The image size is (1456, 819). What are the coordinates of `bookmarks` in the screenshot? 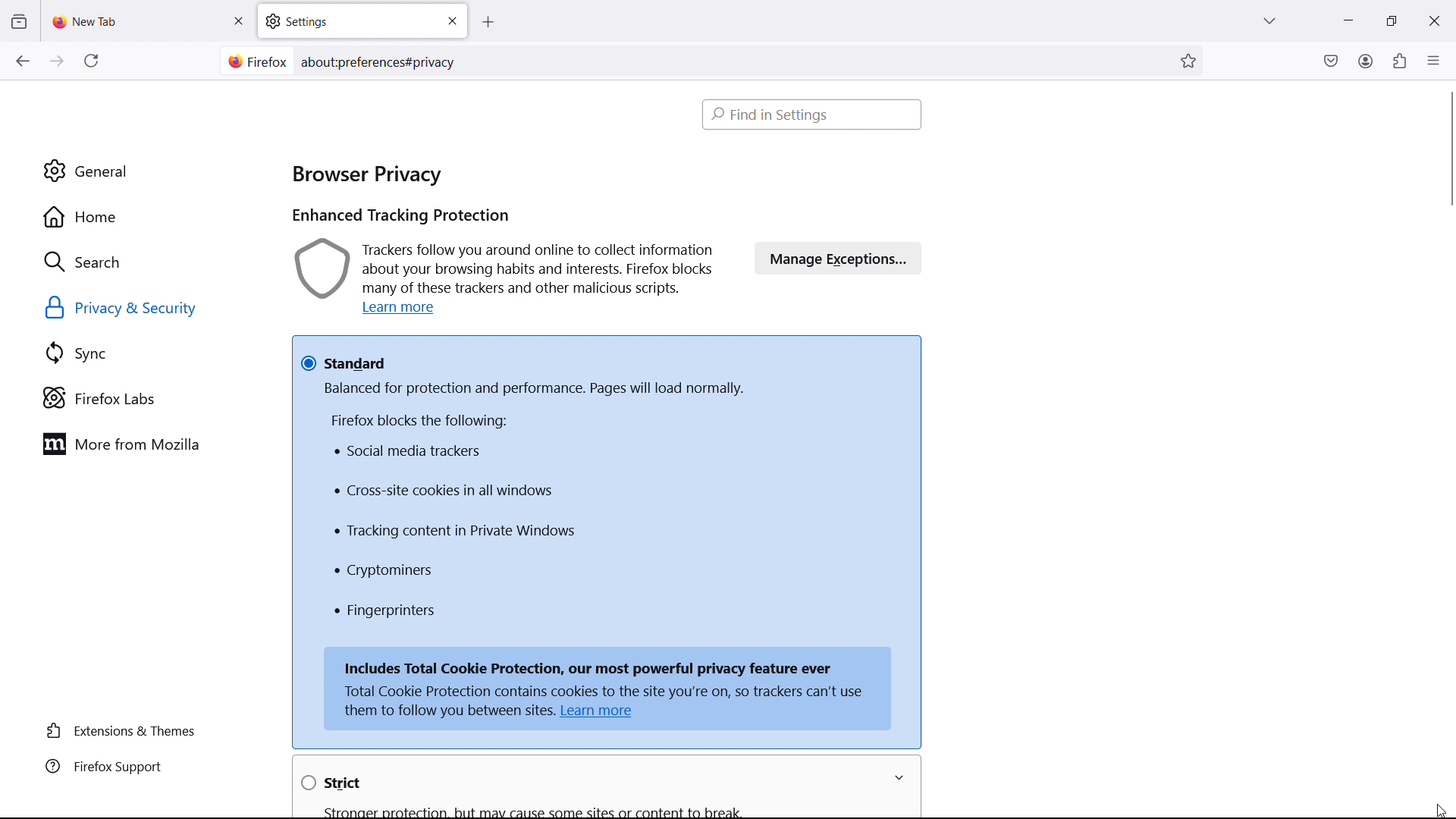 It's located at (1190, 60).